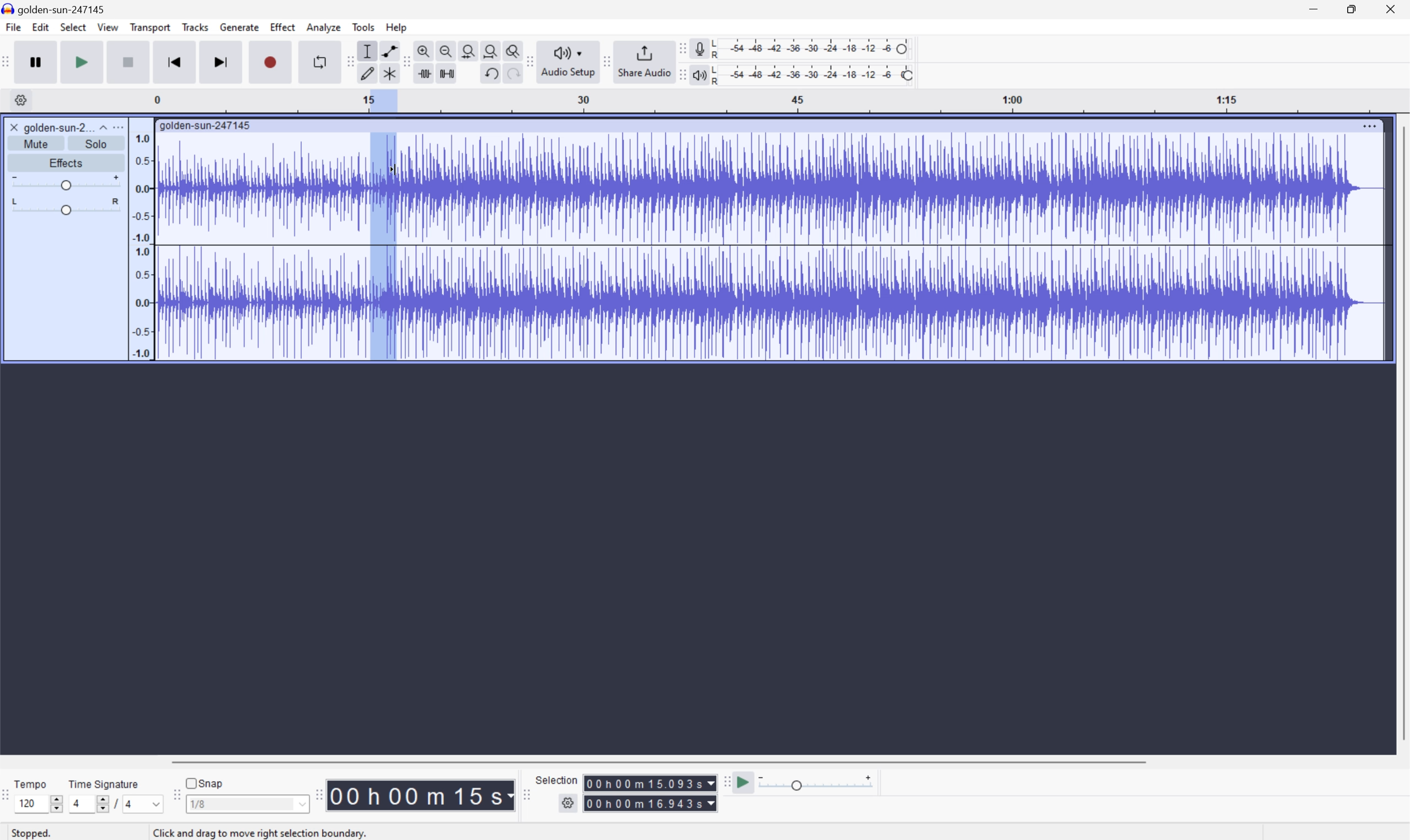 Image resolution: width=1410 pixels, height=840 pixels. I want to click on Drop Down, so click(101, 125).